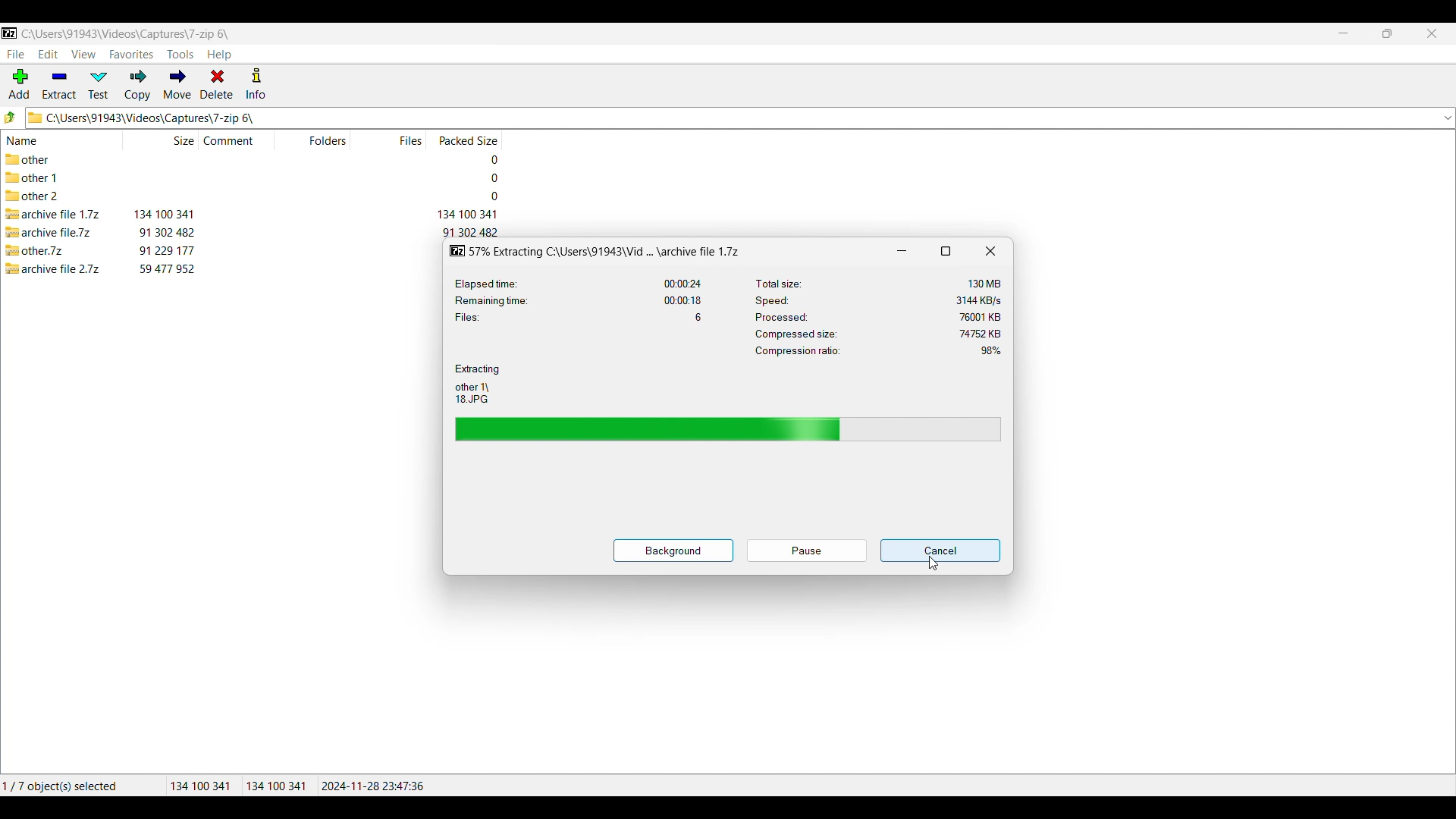  What do you see at coordinates (472, 393) in the screenshot?
I see `other 1\ 18 JPG` at bounding box center [472, 393].